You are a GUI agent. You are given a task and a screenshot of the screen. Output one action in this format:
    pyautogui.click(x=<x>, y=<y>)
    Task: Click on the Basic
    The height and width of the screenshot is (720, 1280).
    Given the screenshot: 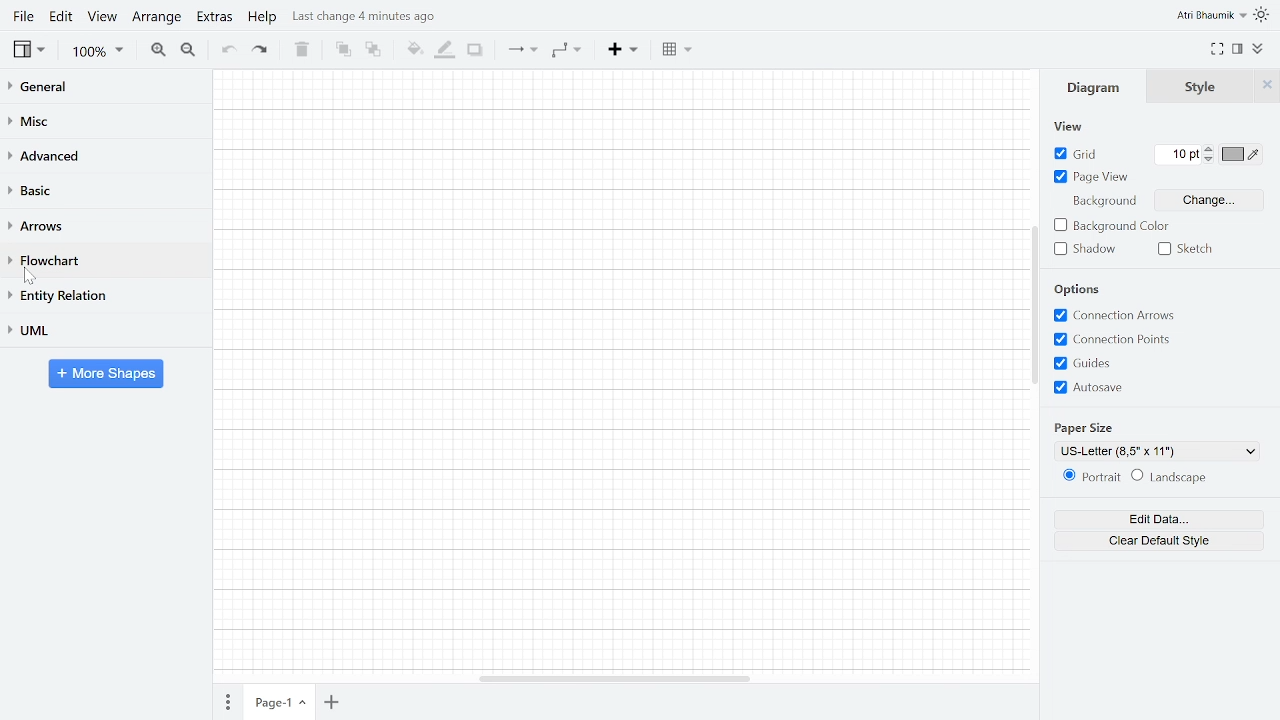 What is the action you would take?
    pyautogui.click(x=102, y=191)
    